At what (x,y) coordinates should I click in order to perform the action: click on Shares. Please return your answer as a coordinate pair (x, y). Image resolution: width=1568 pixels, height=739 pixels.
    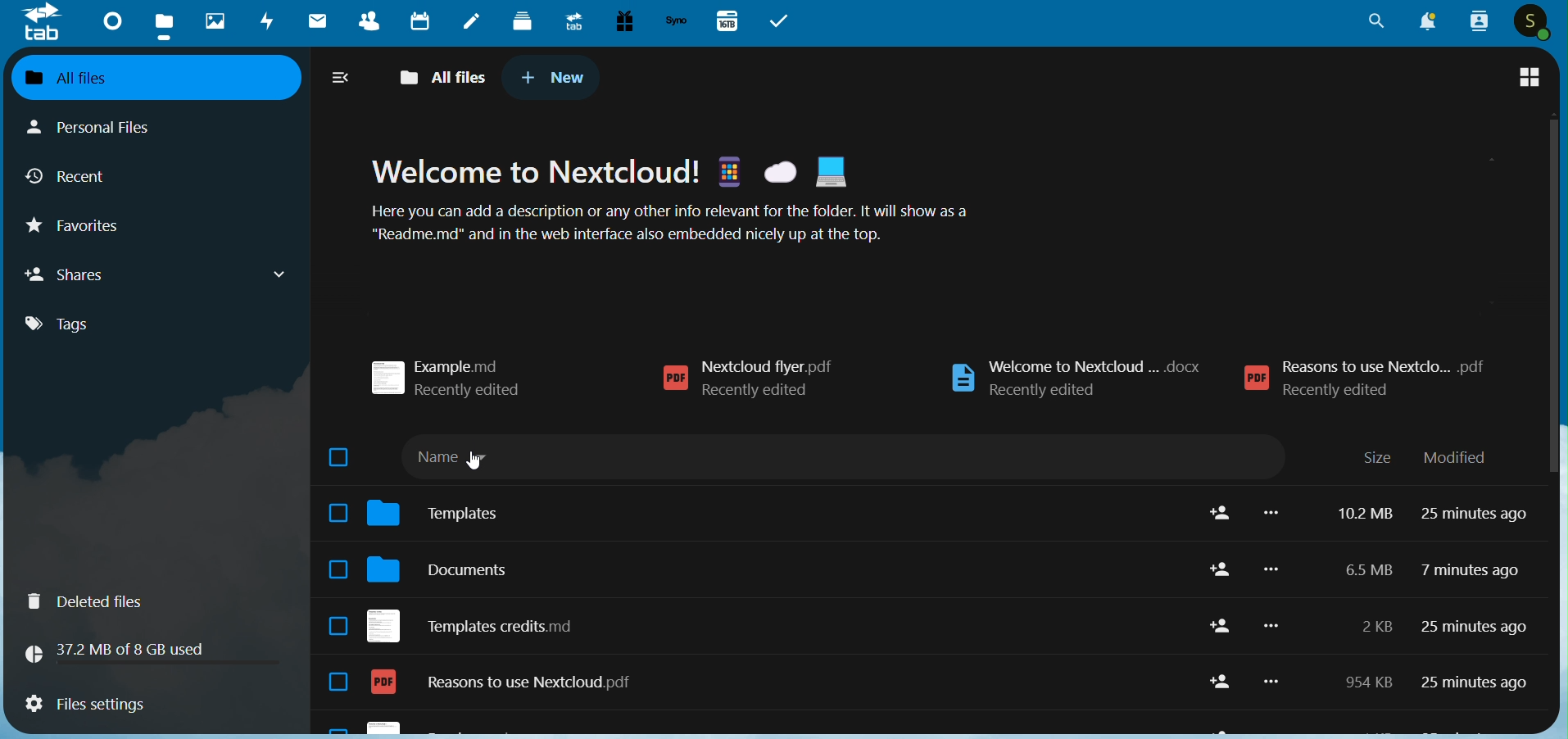
    Looking at the image, I should click on (156, 277).